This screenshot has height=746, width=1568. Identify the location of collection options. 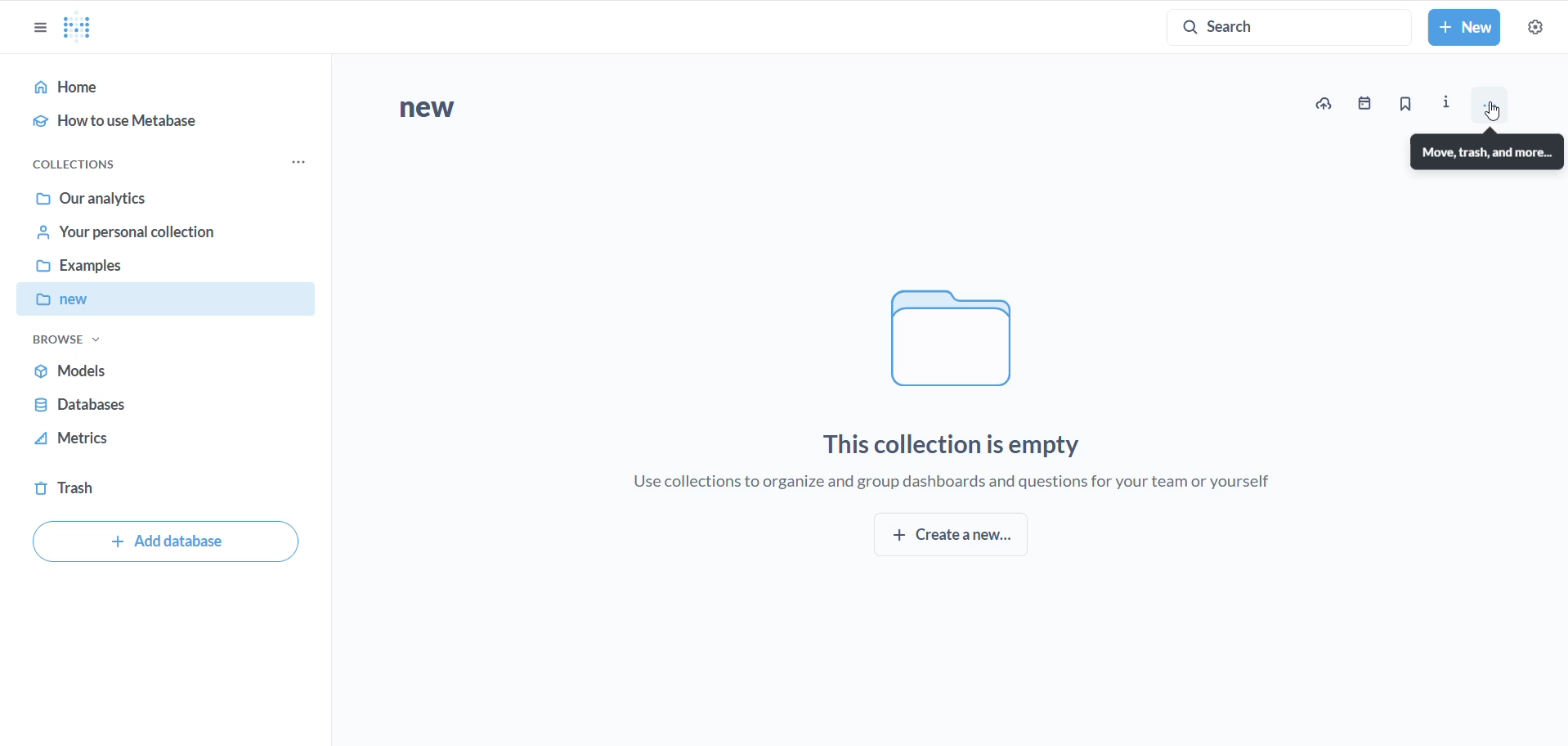
(298, 164).